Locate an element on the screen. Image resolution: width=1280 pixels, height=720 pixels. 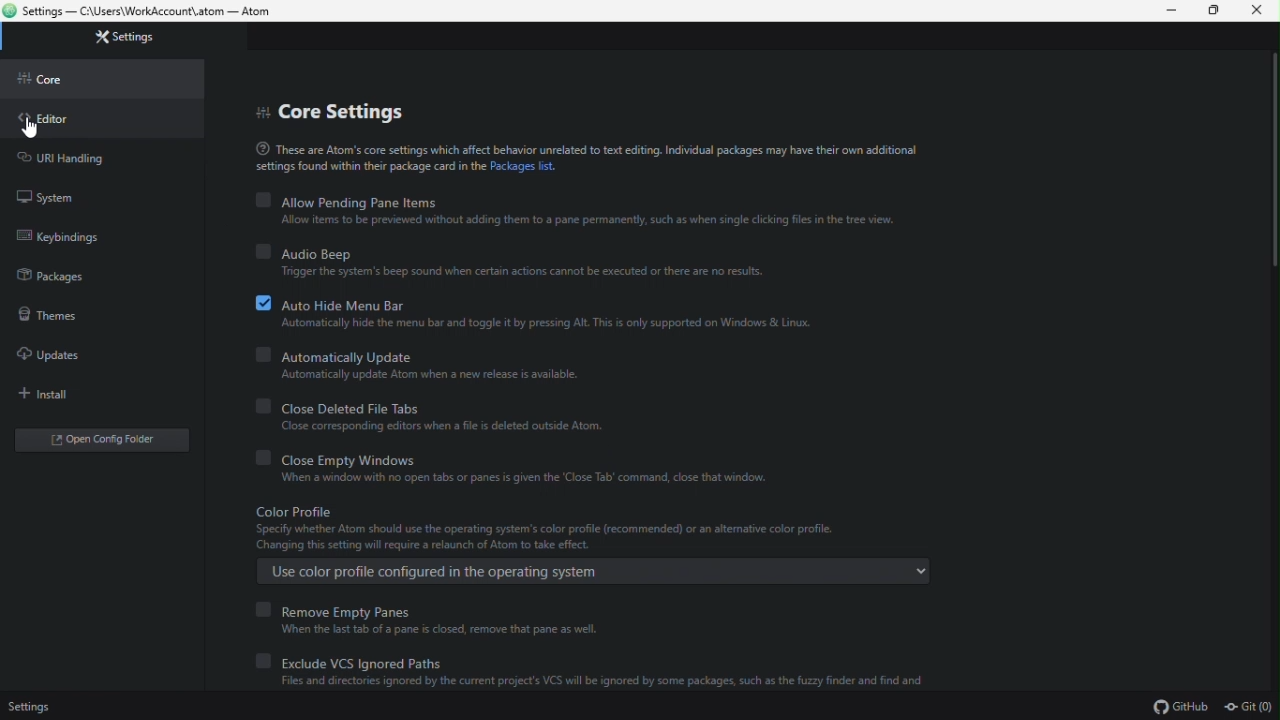
(® These are Atom's core settings which affect behavior unrelated to text editing. Individual packages may have their own additionalsettings found within their package card the Packages list. is located at coordinates (584, 159).